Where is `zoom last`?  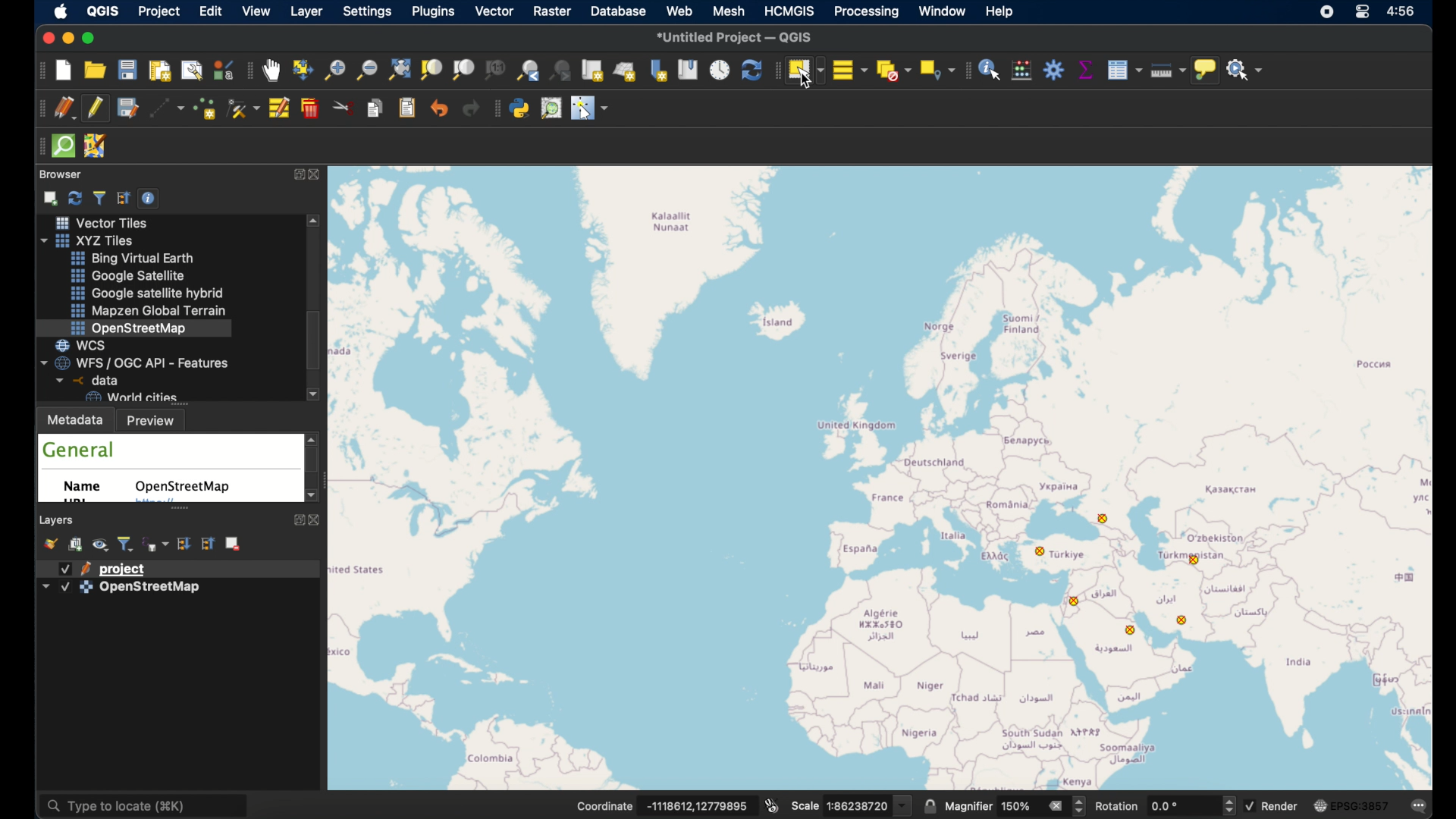 zoom last is located at coordinates (525, 70).